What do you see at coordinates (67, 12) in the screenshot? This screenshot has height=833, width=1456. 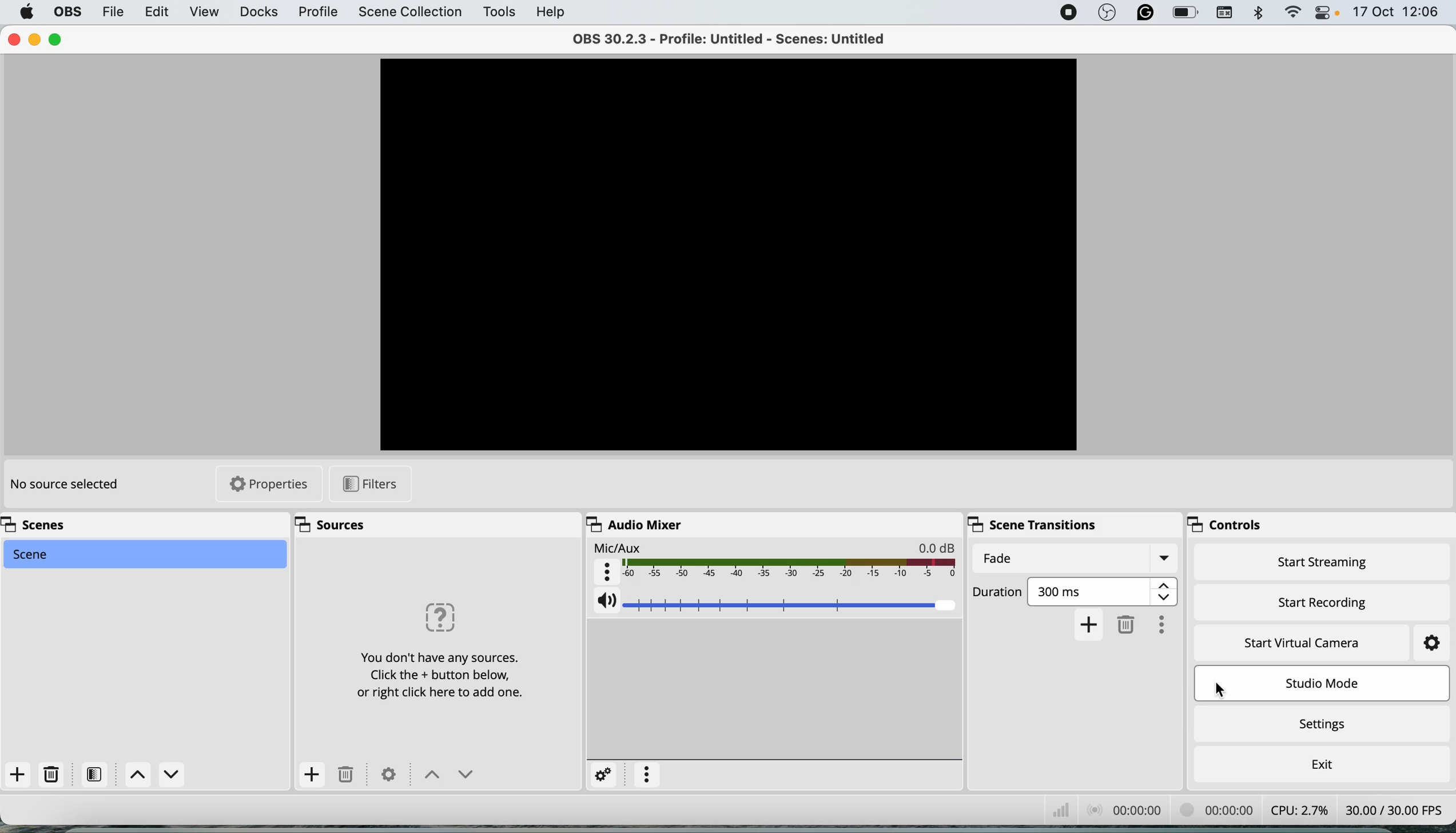 I see `obs` at bounding box center [67, 12].